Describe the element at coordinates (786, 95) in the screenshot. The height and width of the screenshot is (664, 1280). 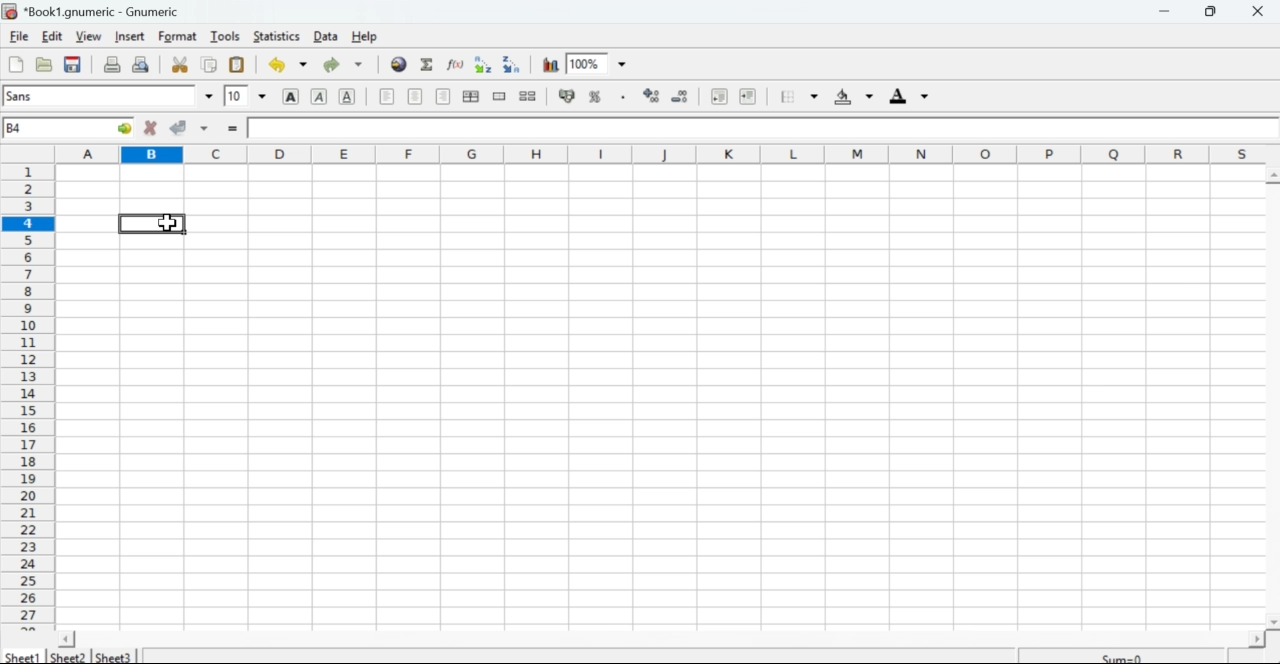
I see `Border` at that location.